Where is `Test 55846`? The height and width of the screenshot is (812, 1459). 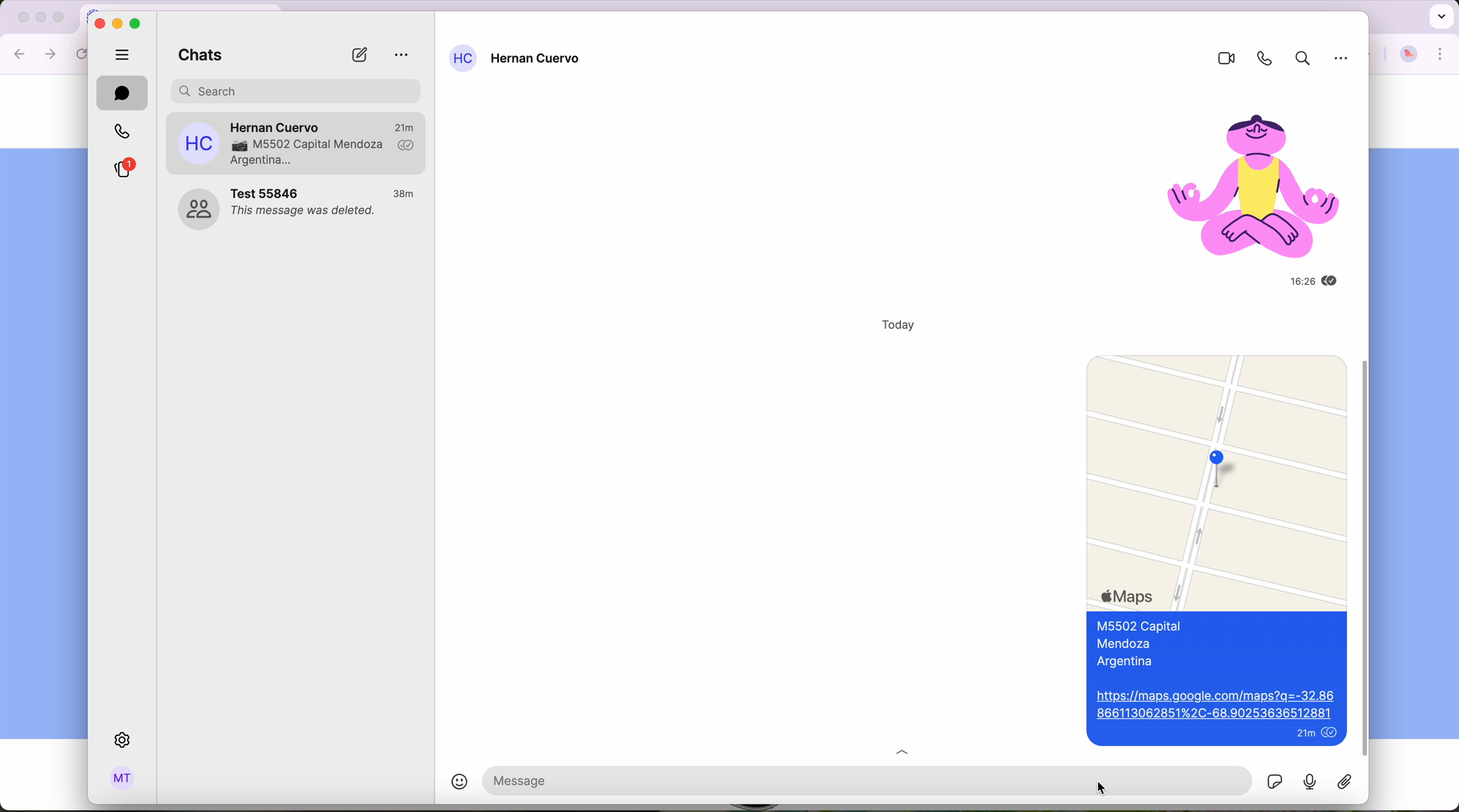 Test 55846 is located at coordinates (268, 193).